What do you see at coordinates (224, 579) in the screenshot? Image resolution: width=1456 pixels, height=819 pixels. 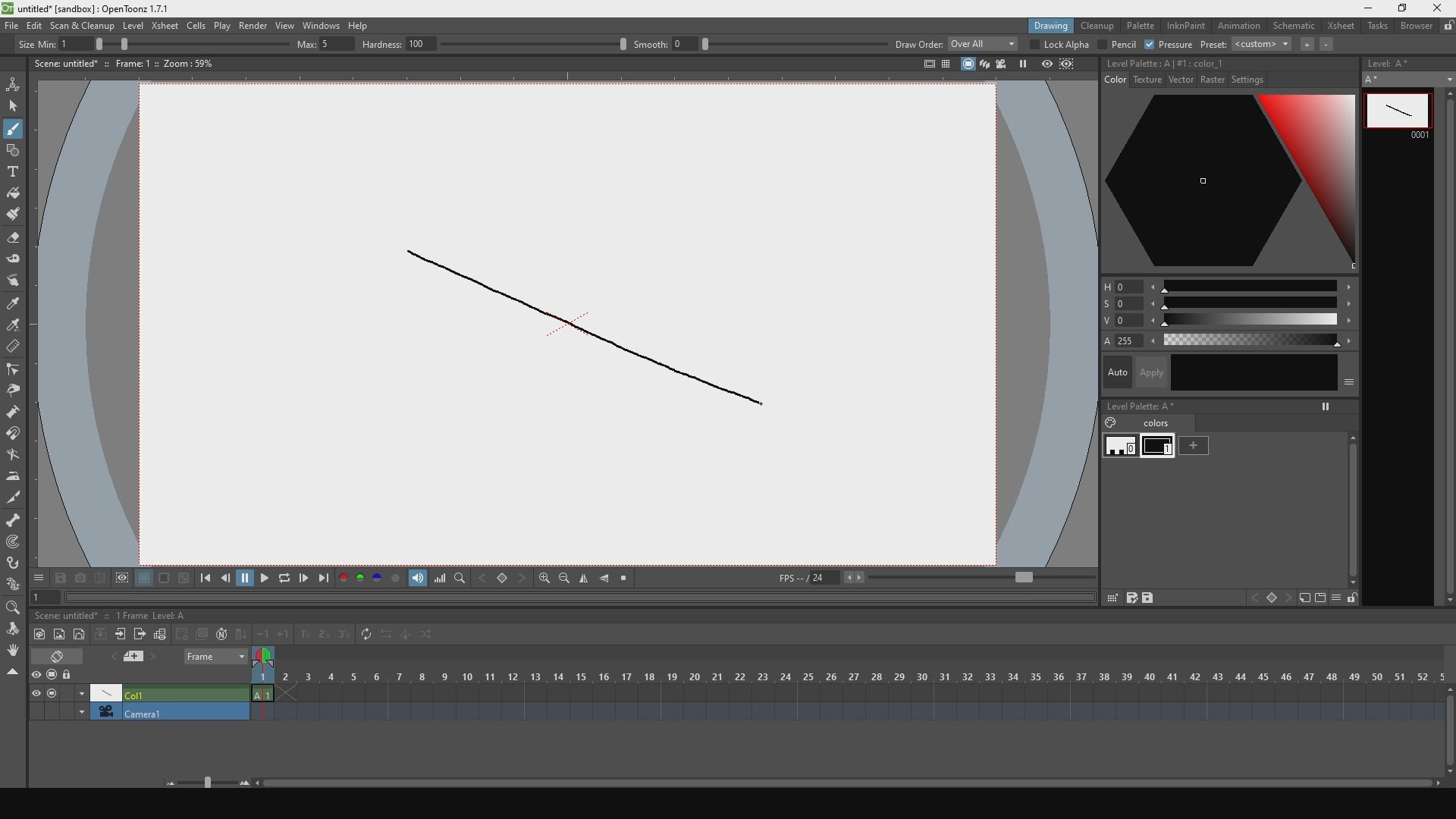 I see `go backwards` at bounding box center [224, 579].